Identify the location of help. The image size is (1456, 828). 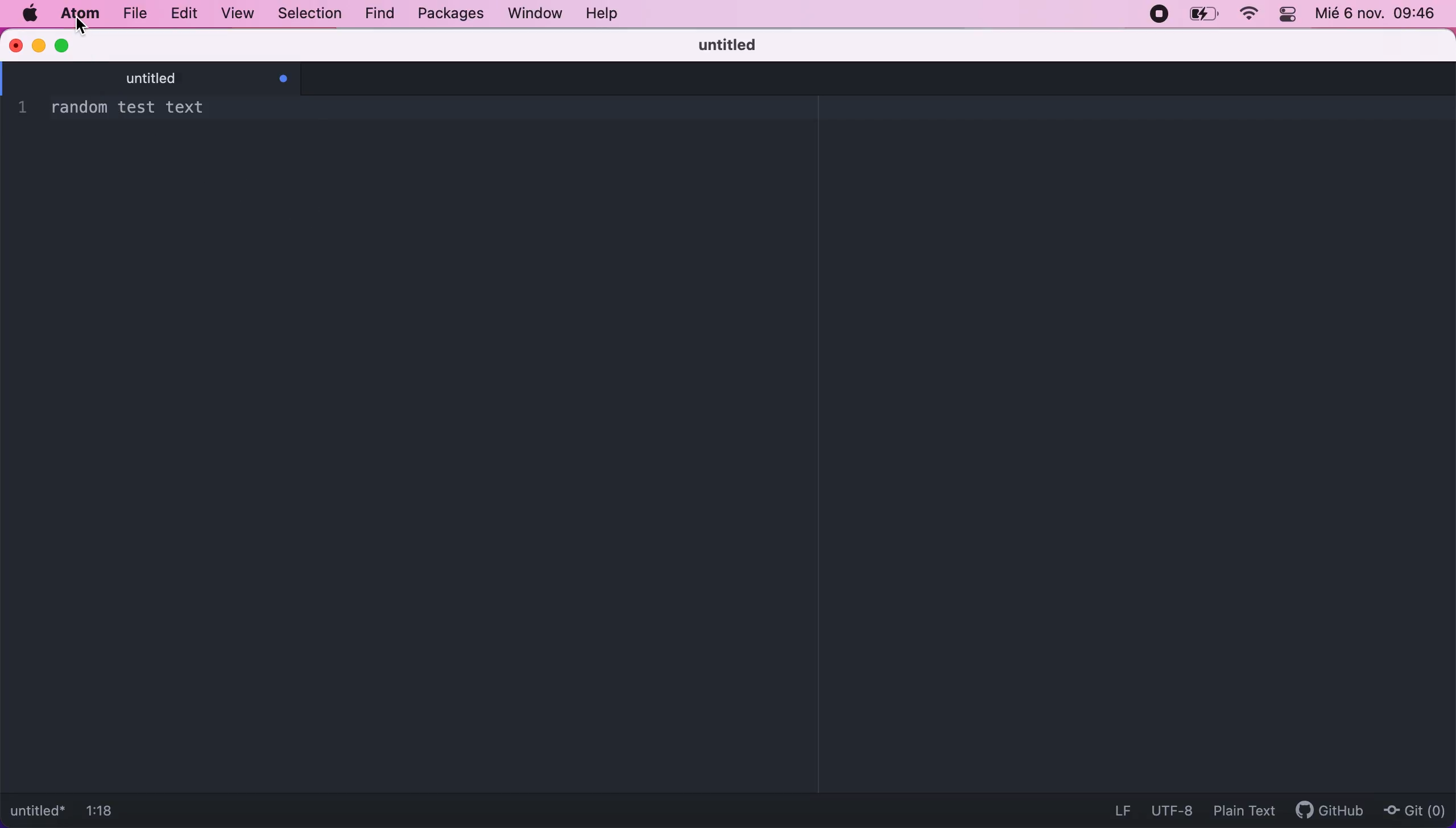
(610, 14).